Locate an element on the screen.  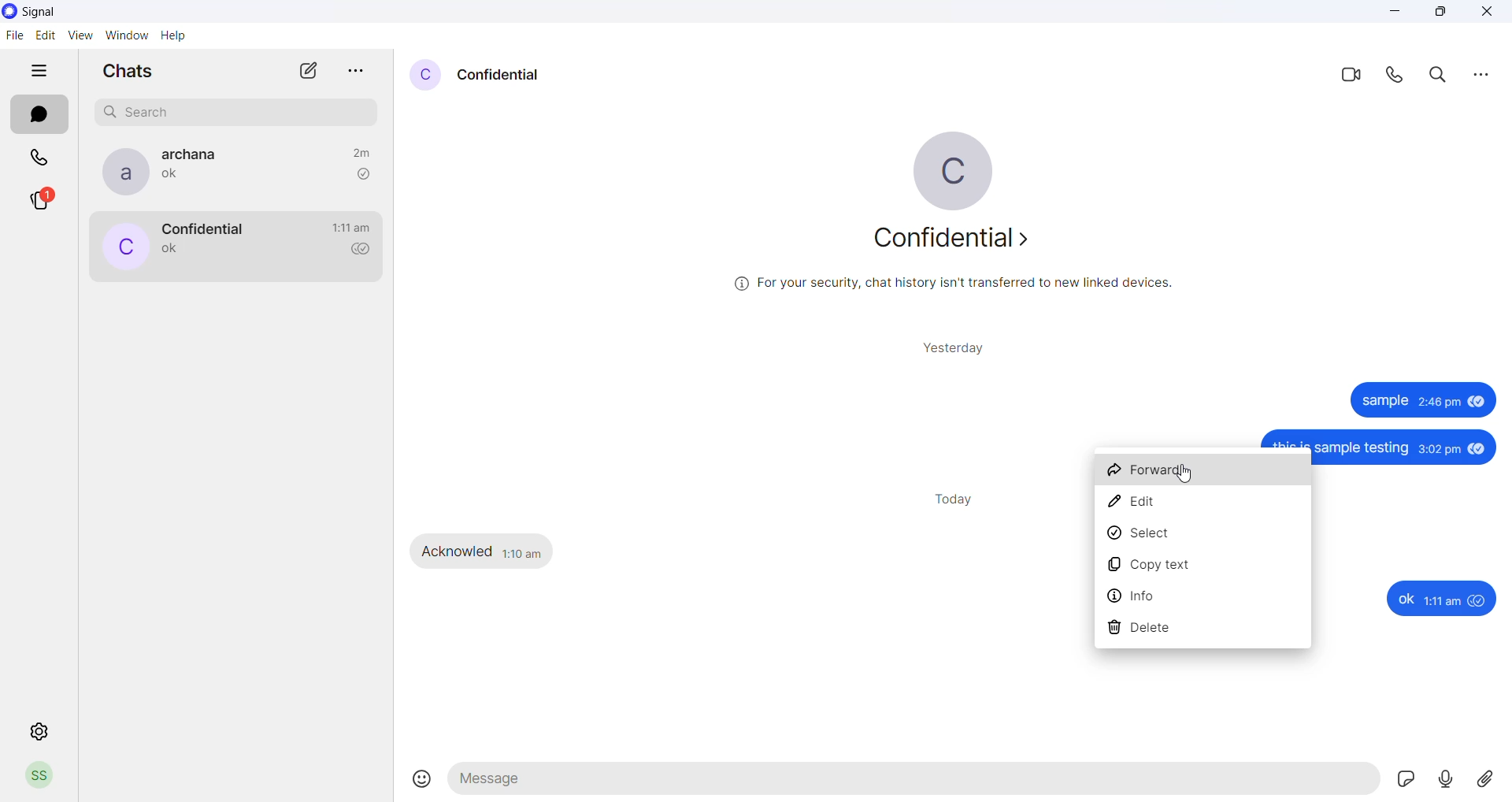
Acknowled is located at coordinates (458, 551).